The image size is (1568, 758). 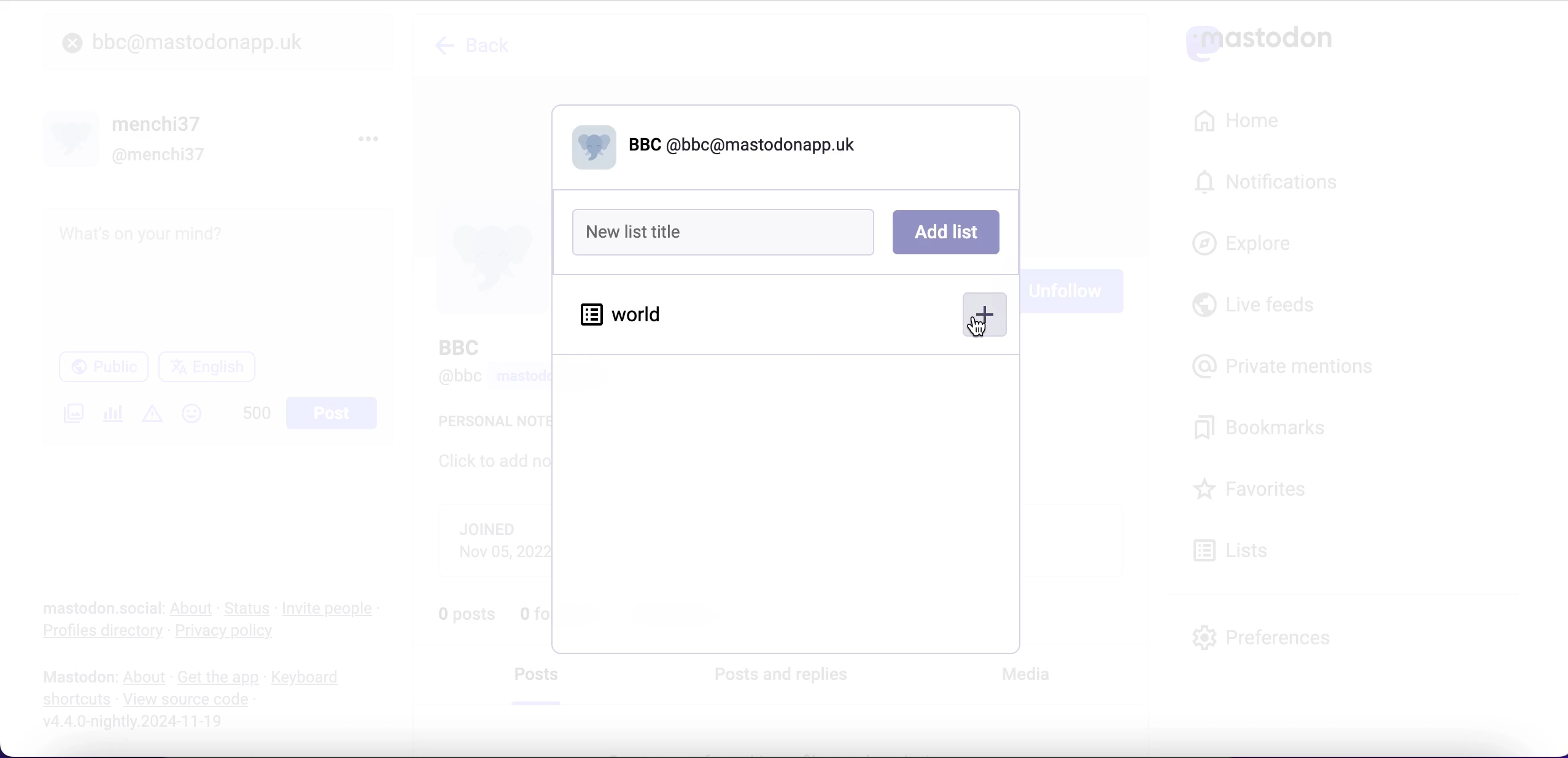 What do you see at coordinates (1234, 121) in the screenshot?
I see `home` at bounding box center [1234, 121].